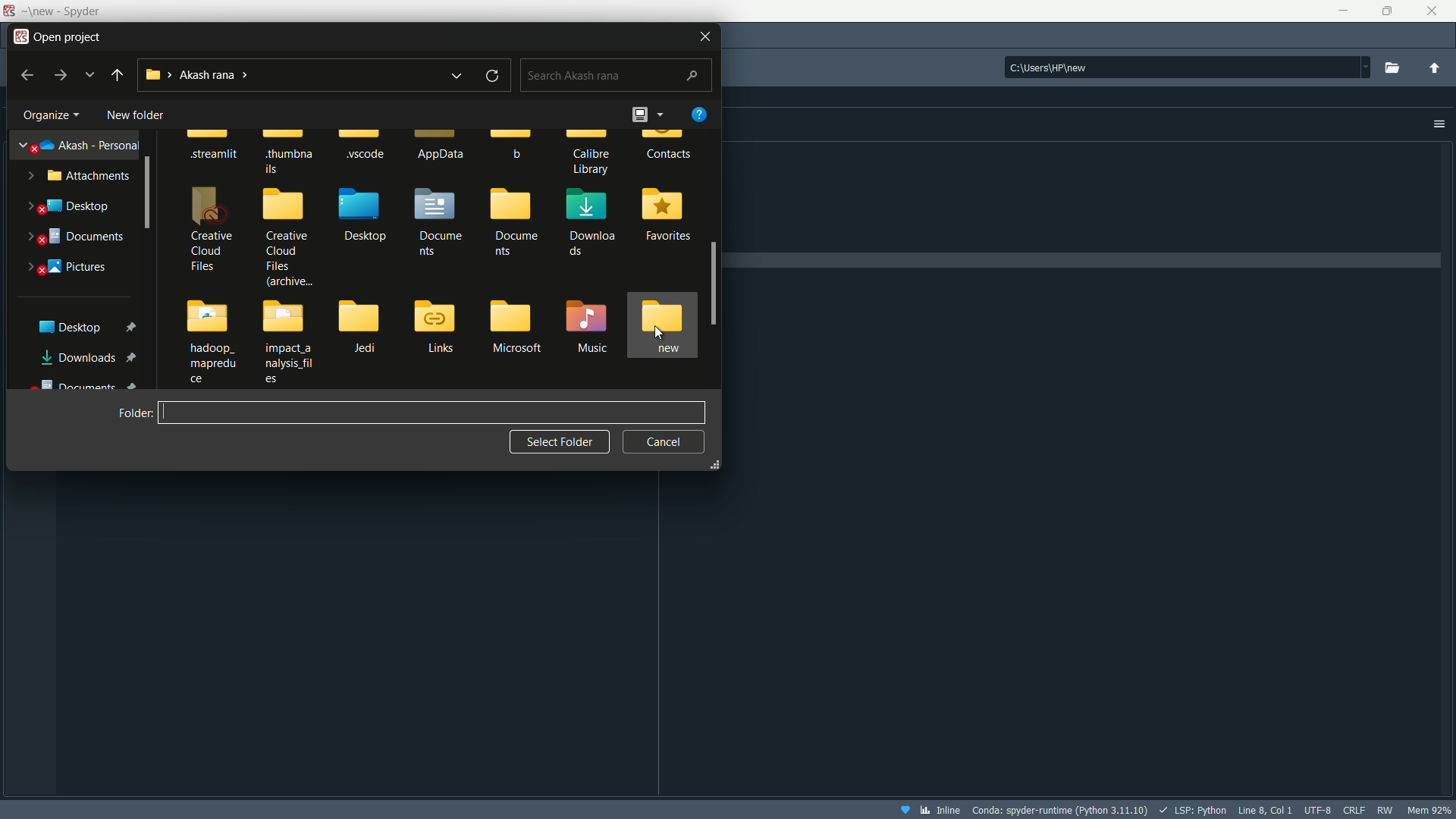 This screenshot has height=819, width=1456. What do you see at coordinates (431, 413) in the screenshot?
I see `name bar` at bounding box center [431, 413].